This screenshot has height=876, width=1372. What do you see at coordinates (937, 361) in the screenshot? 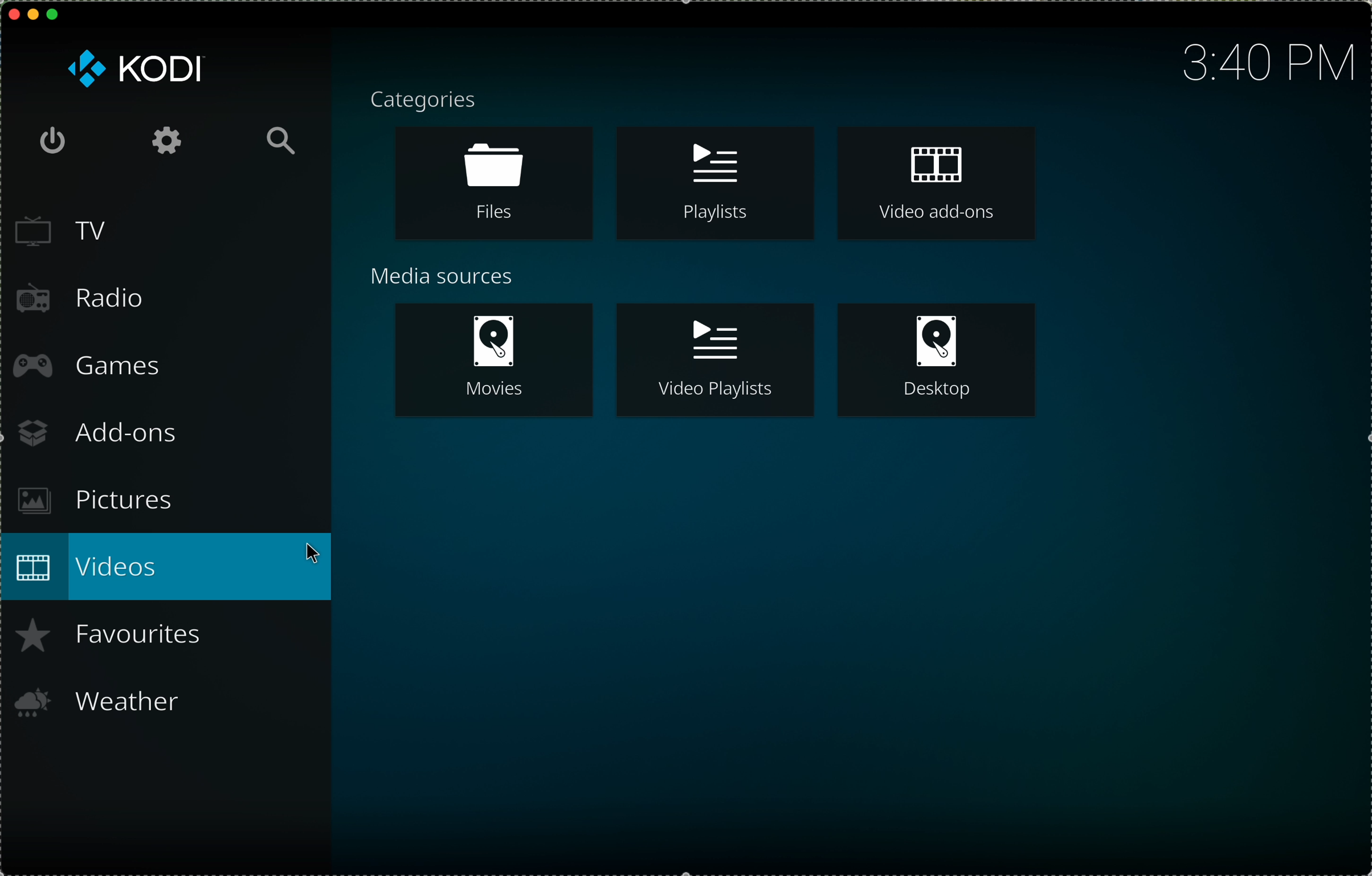
I see `desktop button` at bounding box center [937, 361].